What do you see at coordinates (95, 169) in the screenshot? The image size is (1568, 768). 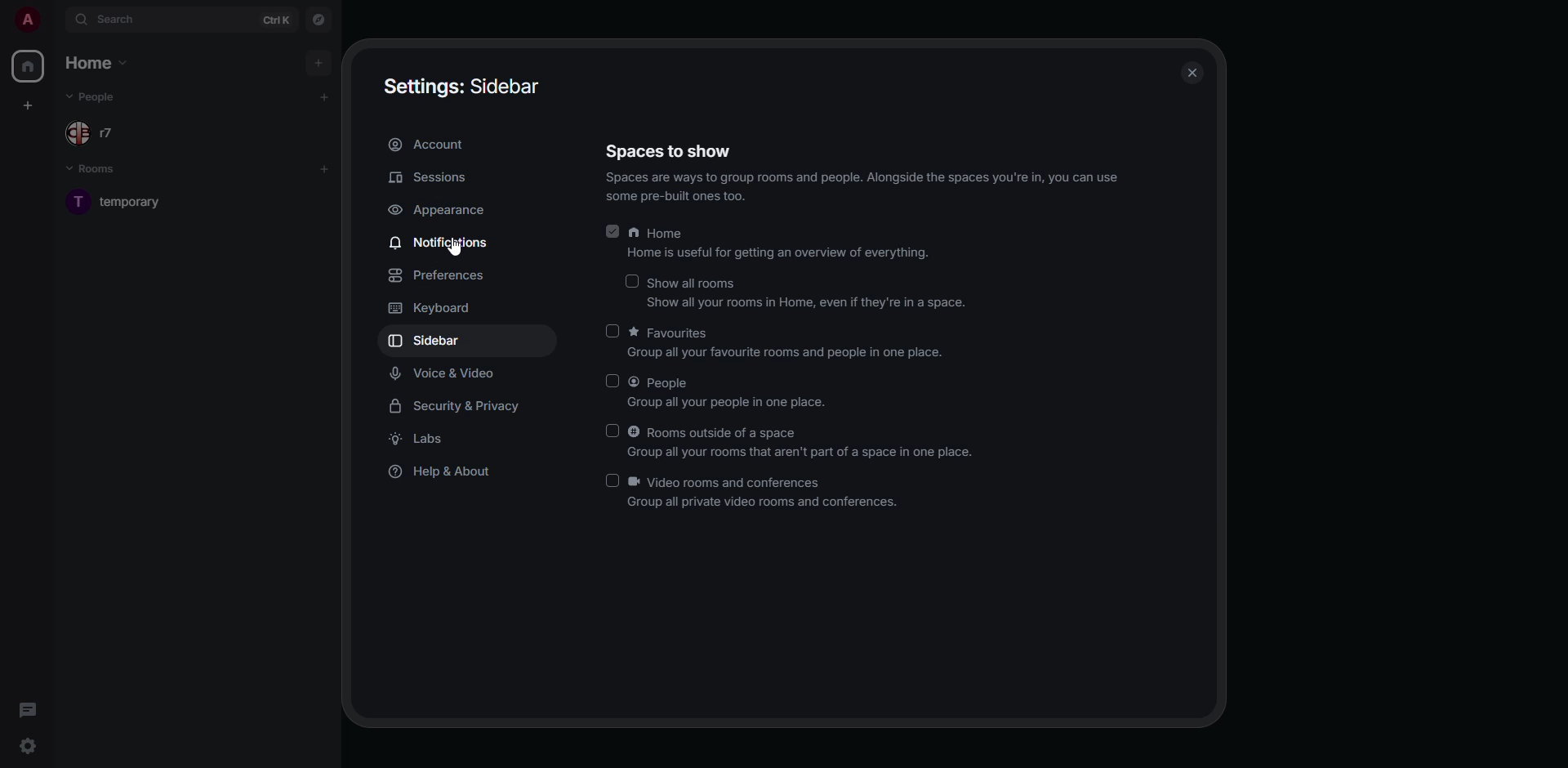 I see `rooms` at bounding box center [95, 169].